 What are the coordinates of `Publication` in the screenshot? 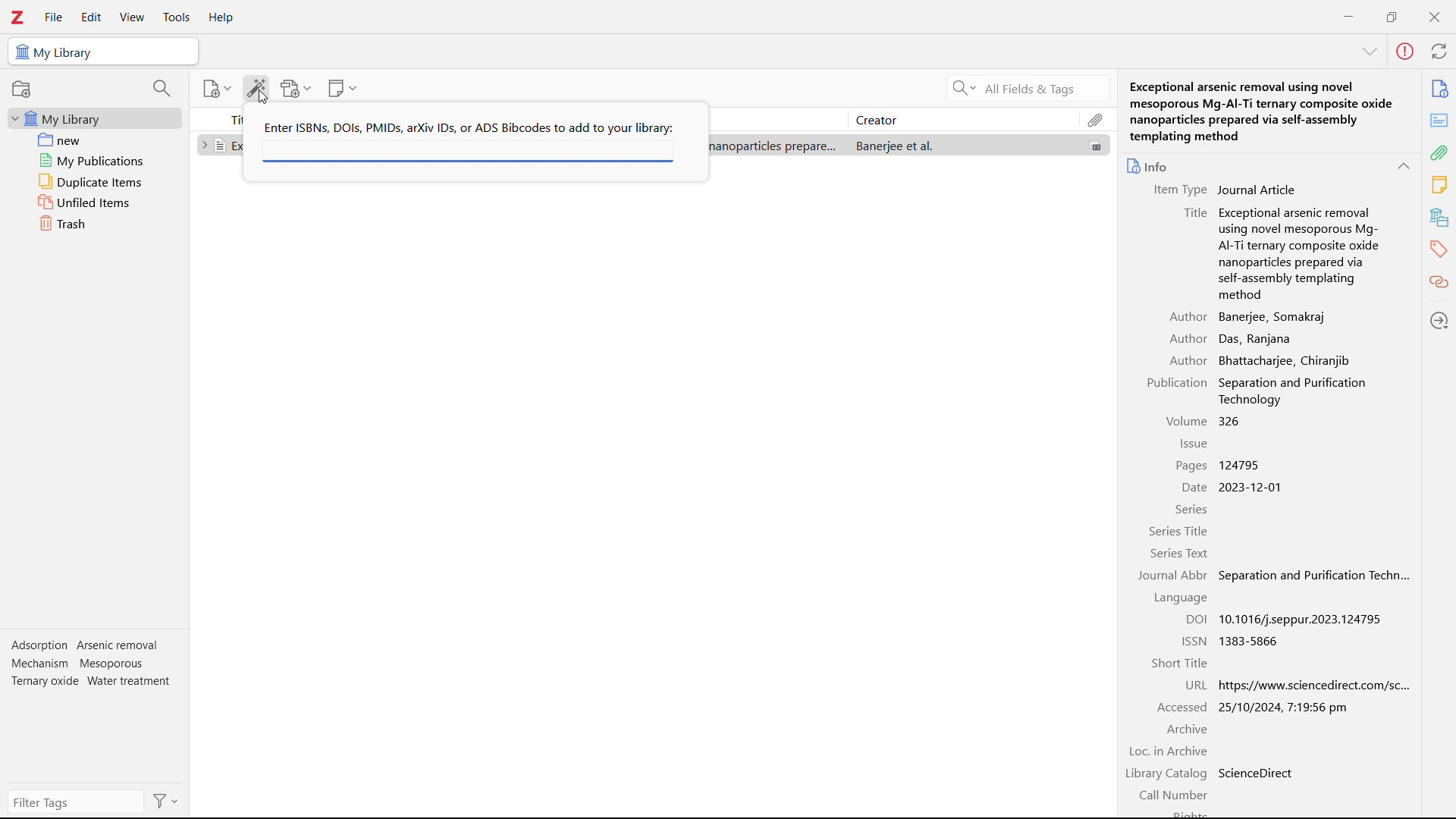 It's located at (1178, 383).